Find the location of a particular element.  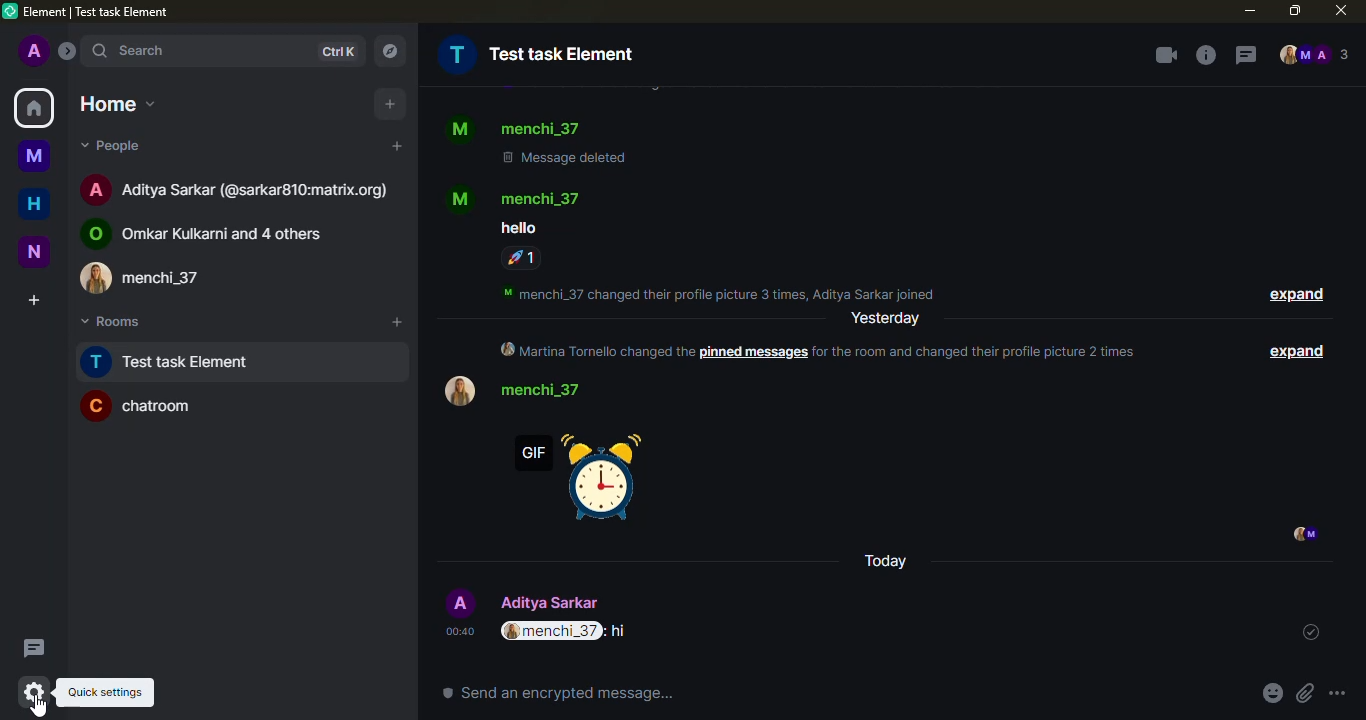

add is located at coordinates (391, 105).